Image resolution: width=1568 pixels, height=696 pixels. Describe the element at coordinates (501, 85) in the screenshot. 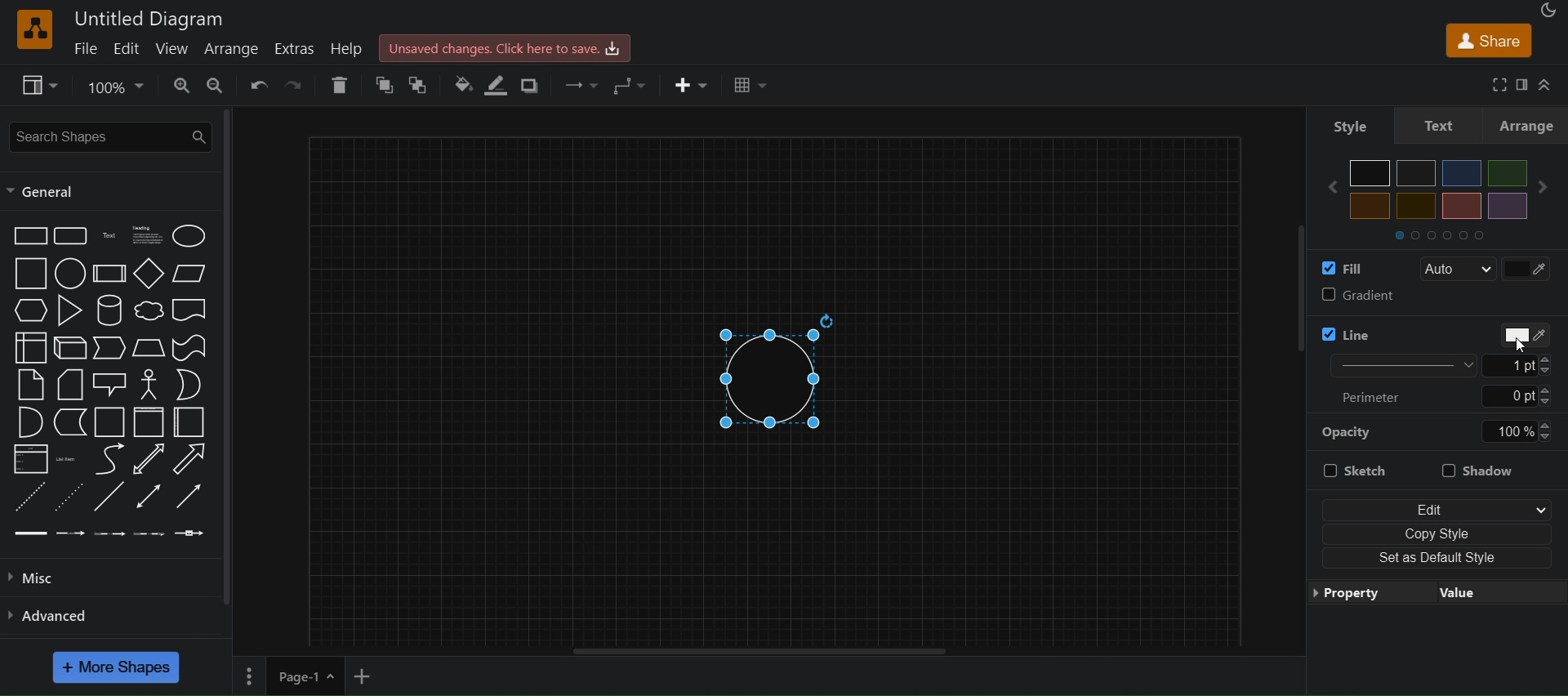

I see `line color` at that location.